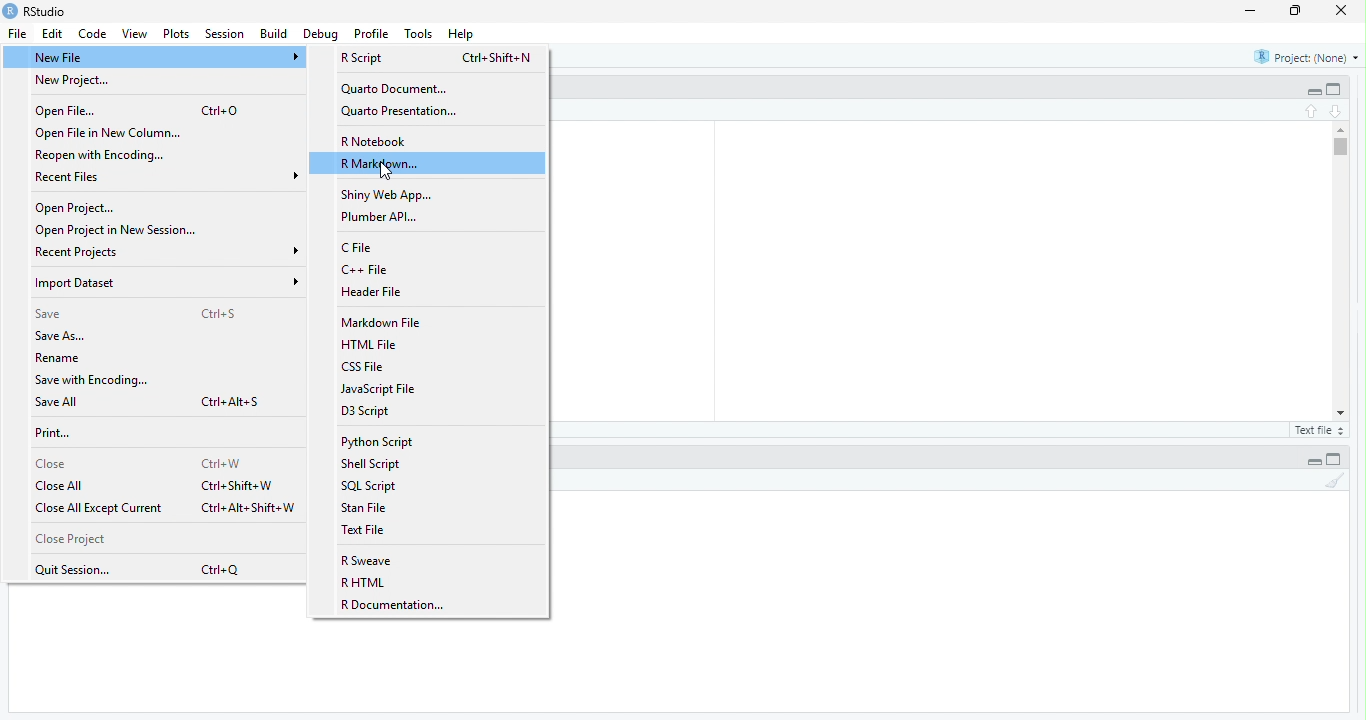  I want to click on Save with Encoding..., so click(92, 380).